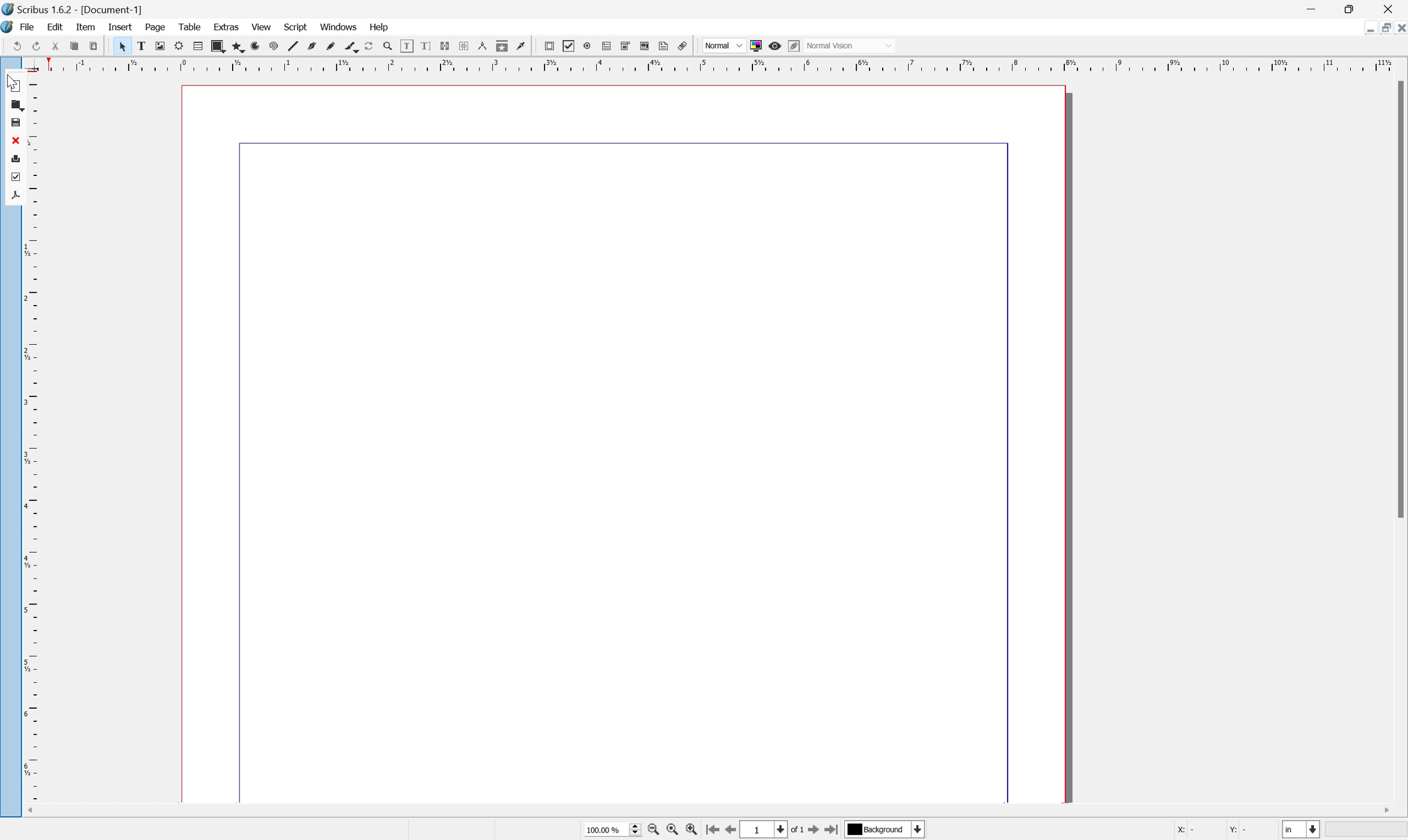 This screenshot has height=840, width=1408. I want to click on Preview Mode, so click(775, 46).